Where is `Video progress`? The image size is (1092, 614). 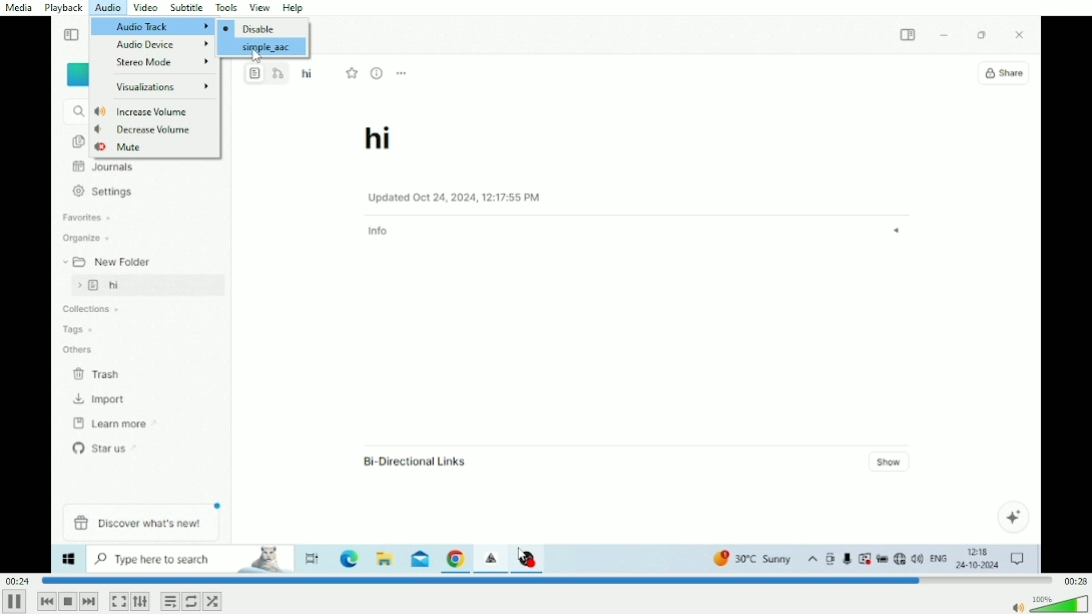
Video progress is located at coordinates (547, 580).